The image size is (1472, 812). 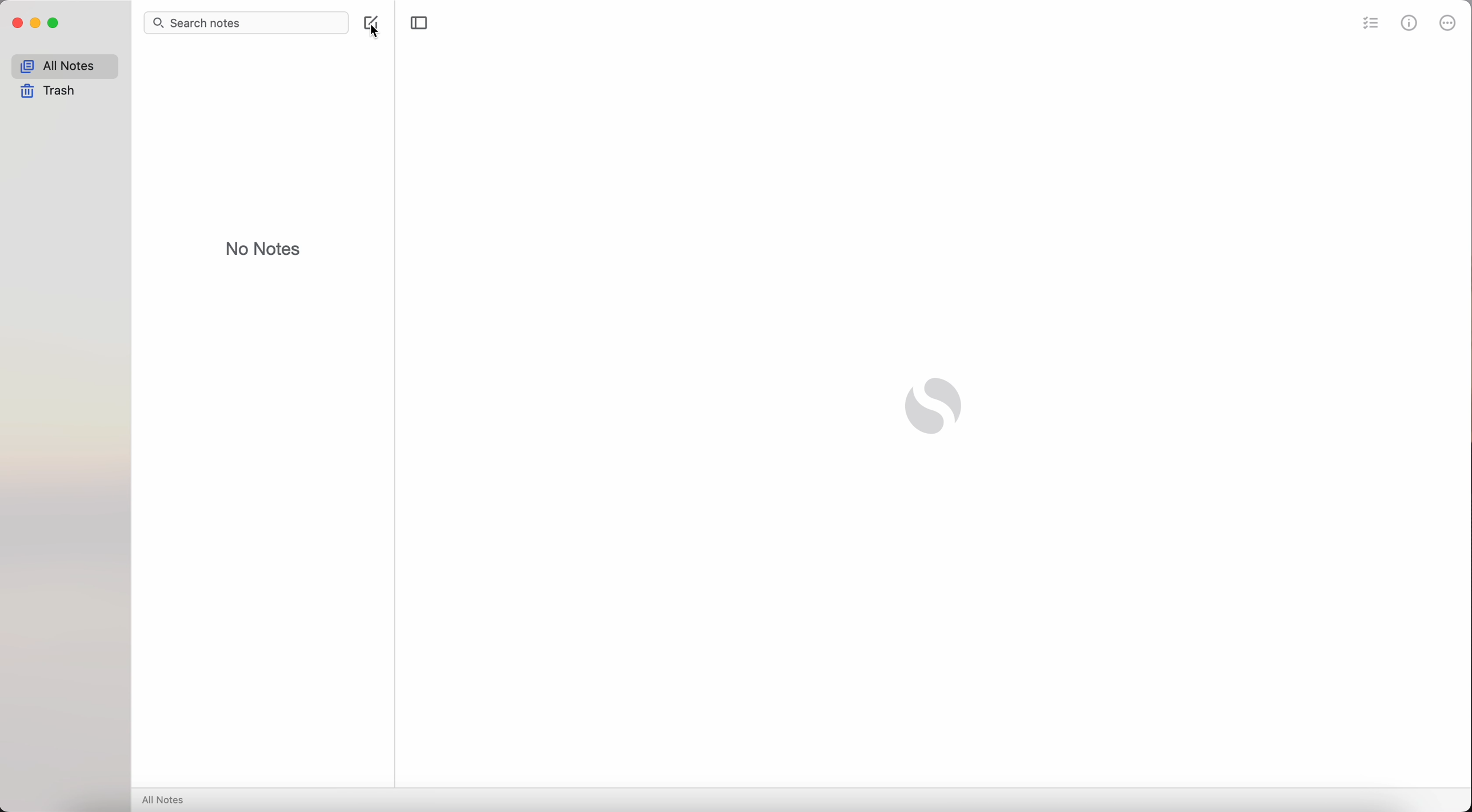 What do you see at coordinates (36, 23) in the screenshot?
I see `minimize app` at bounding box center [36, 23].